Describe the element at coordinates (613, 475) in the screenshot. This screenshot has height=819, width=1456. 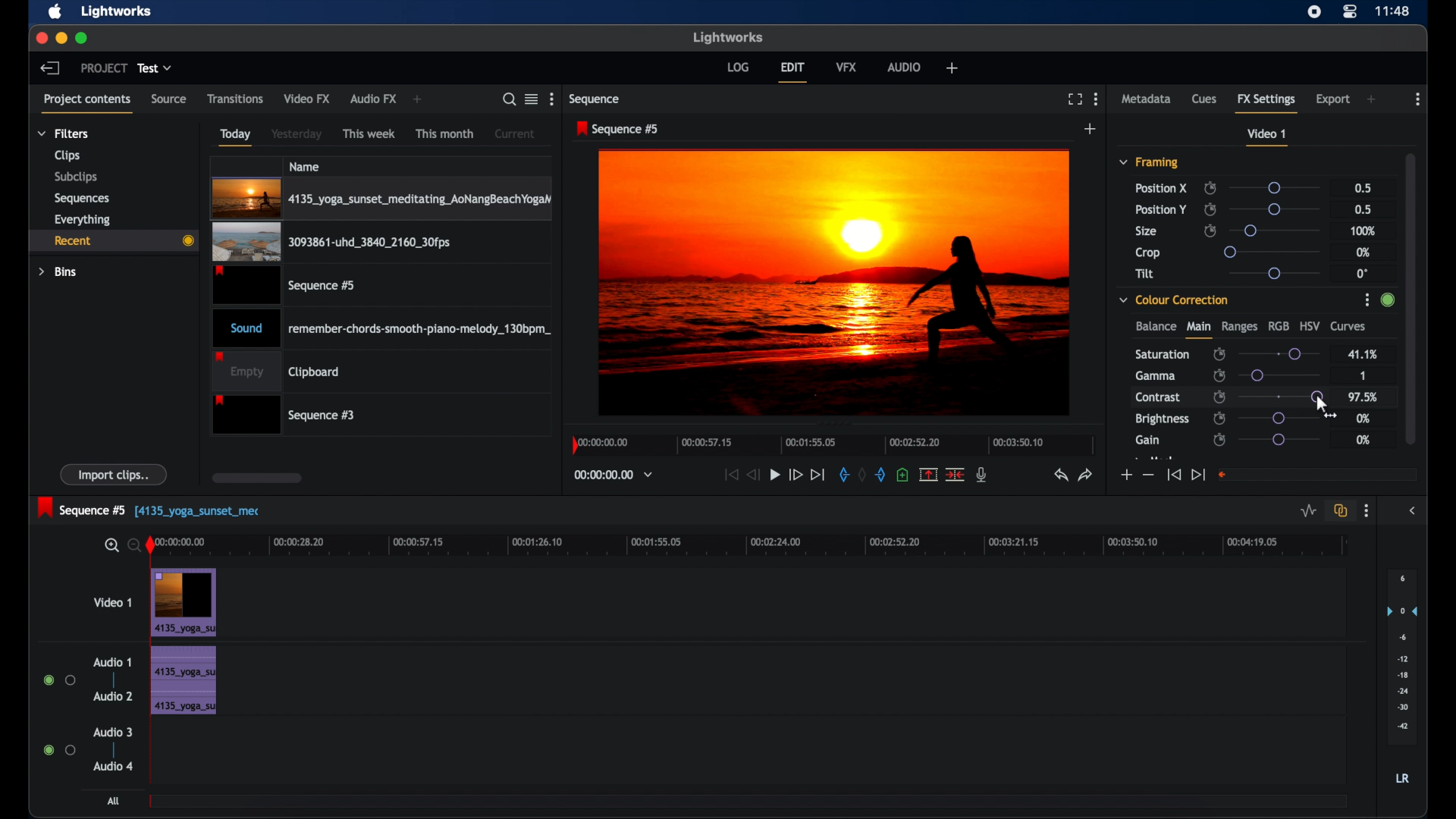
I see `timecodes and reels` at that location.